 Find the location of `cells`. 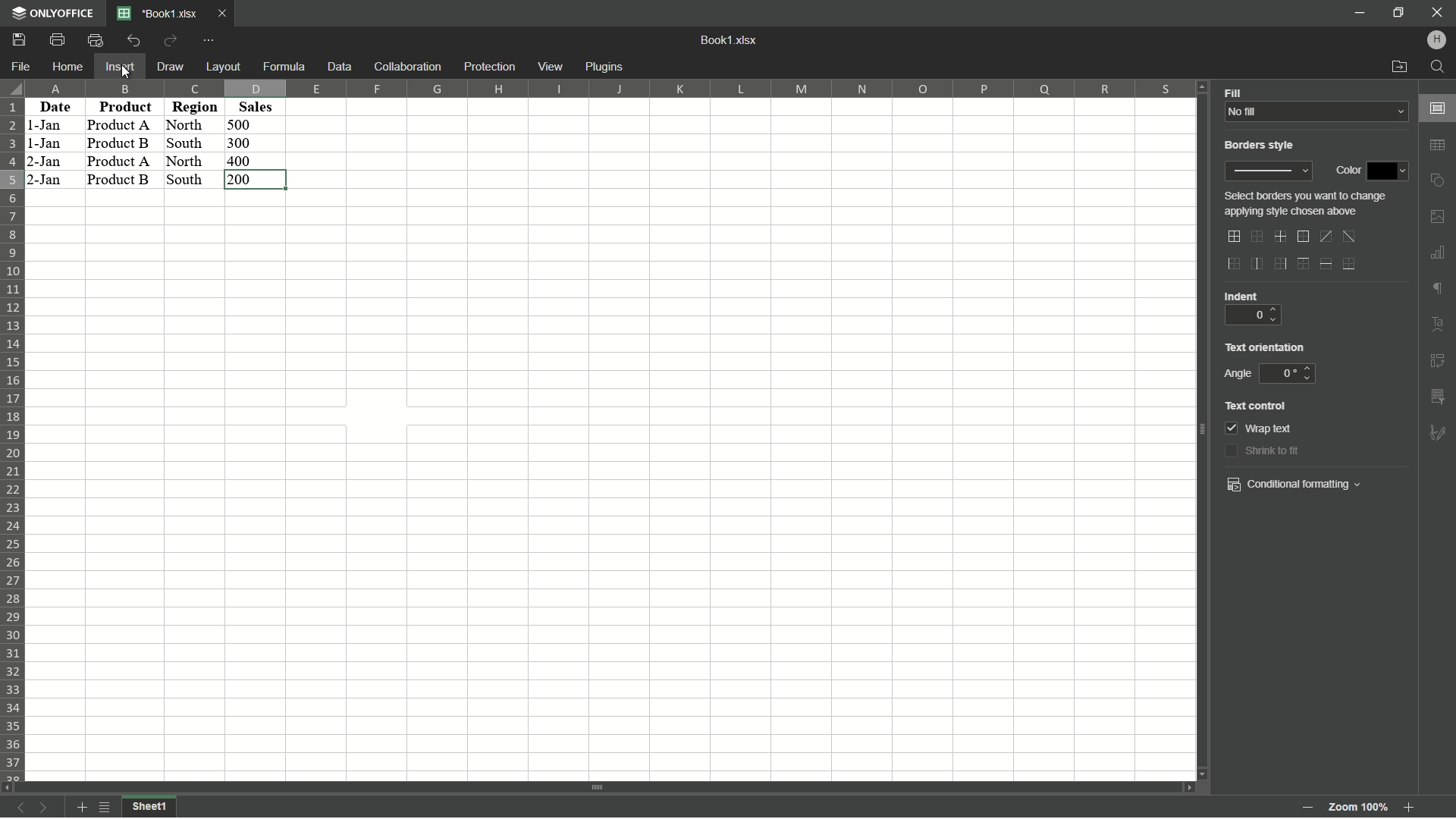

cells is located at coordinates (610, 486).